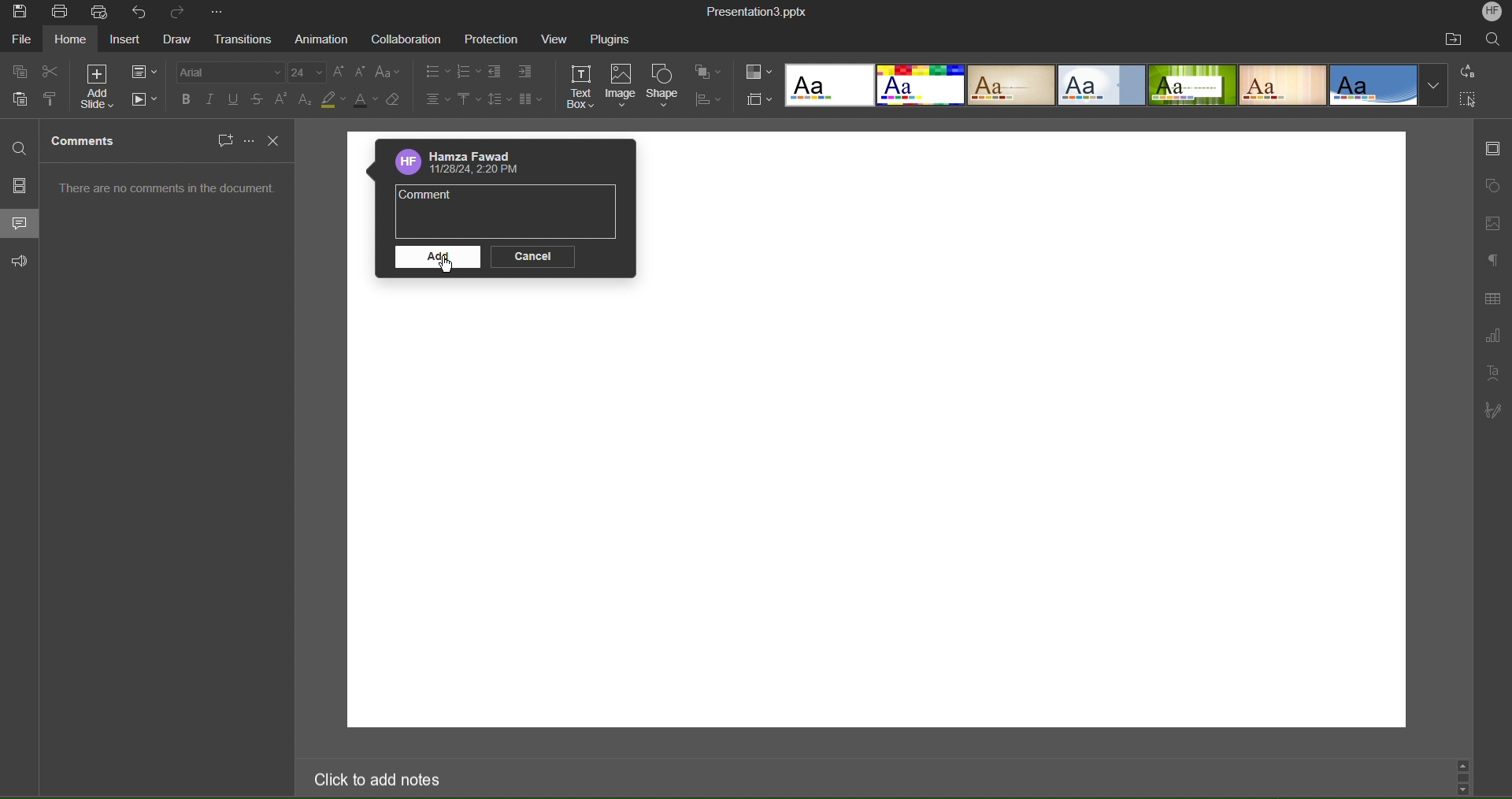 The width and height of the screenshot is (1512, 799). I want to click on New Comment, so click(223, 140).